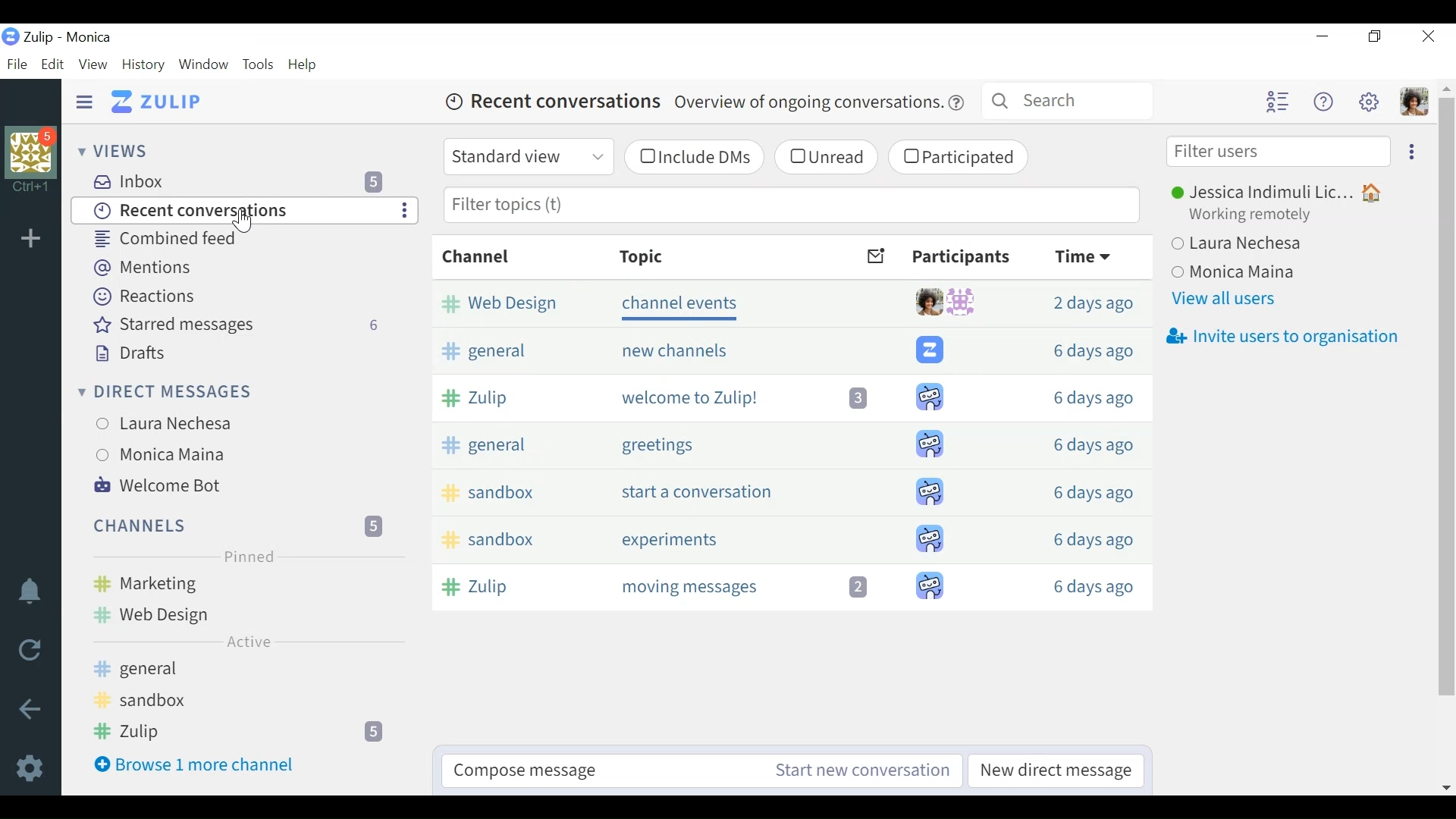  I want to click on Web Design, so click(236, 616).